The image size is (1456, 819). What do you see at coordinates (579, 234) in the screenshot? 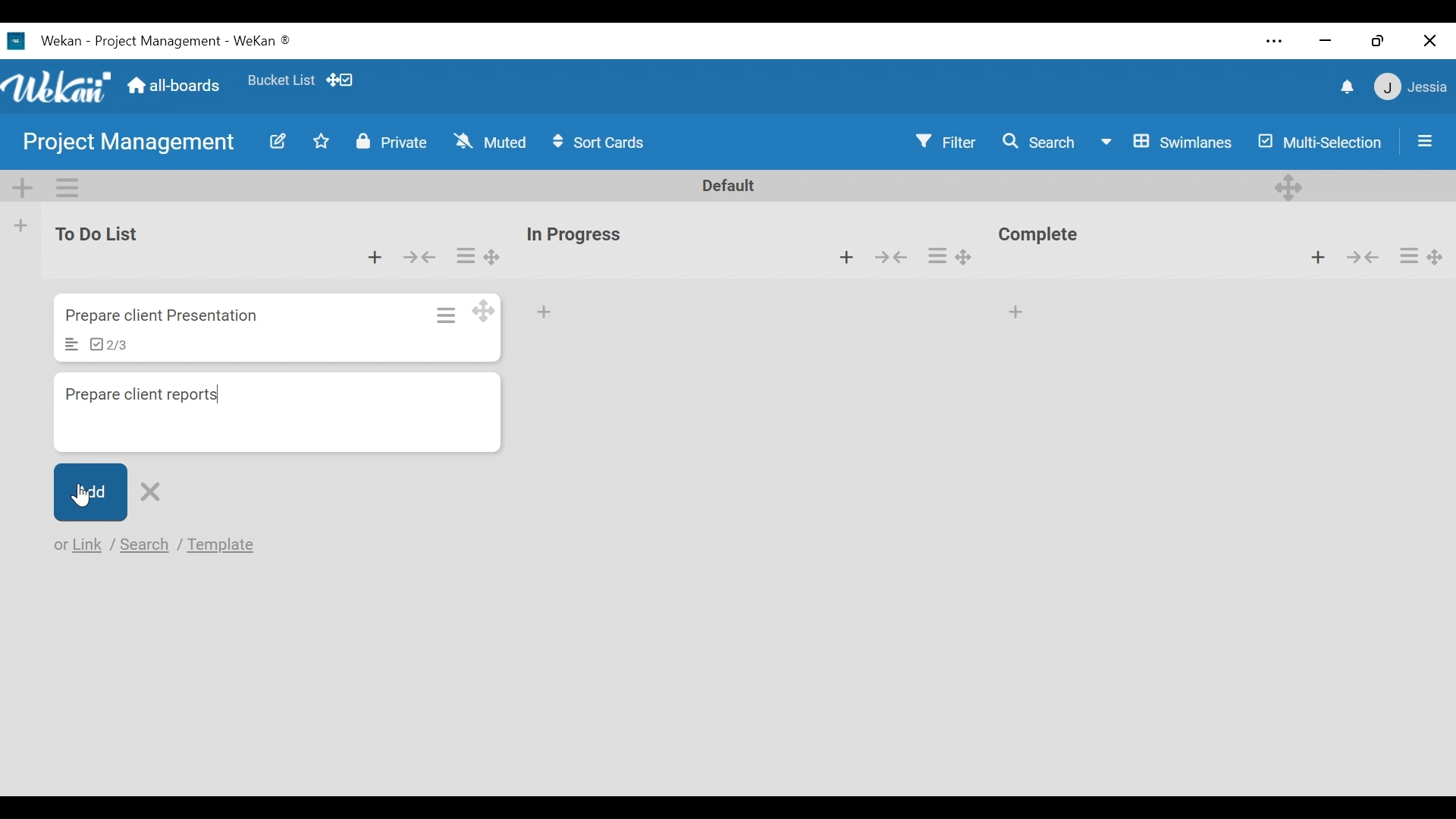
I see `In progress` at bounding box center [579, 234].